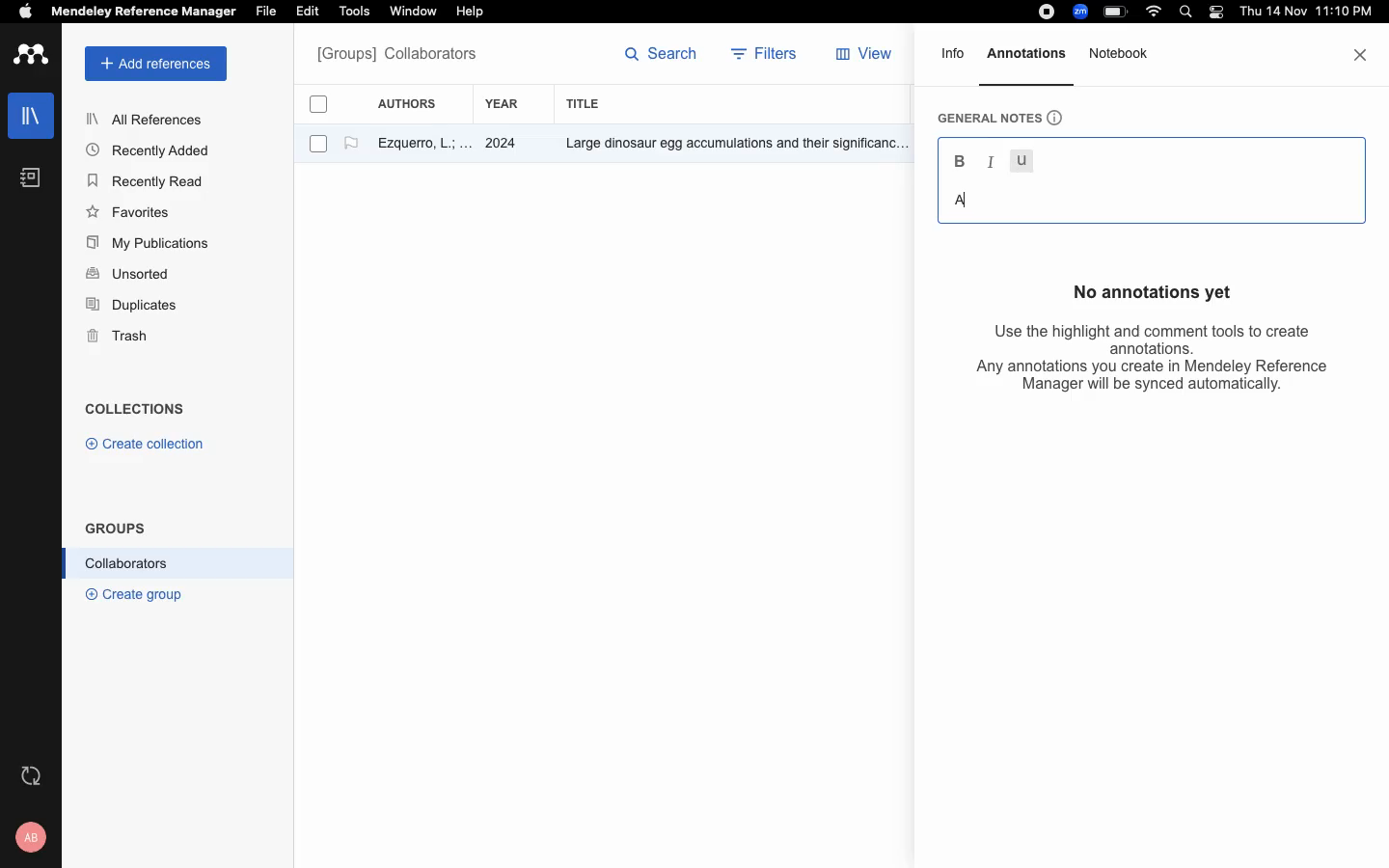 The image size is (1389, 868). What do you see at coordinates (148, 119) in the screenshot?
I see `All References` at bounding box center [148, 119].